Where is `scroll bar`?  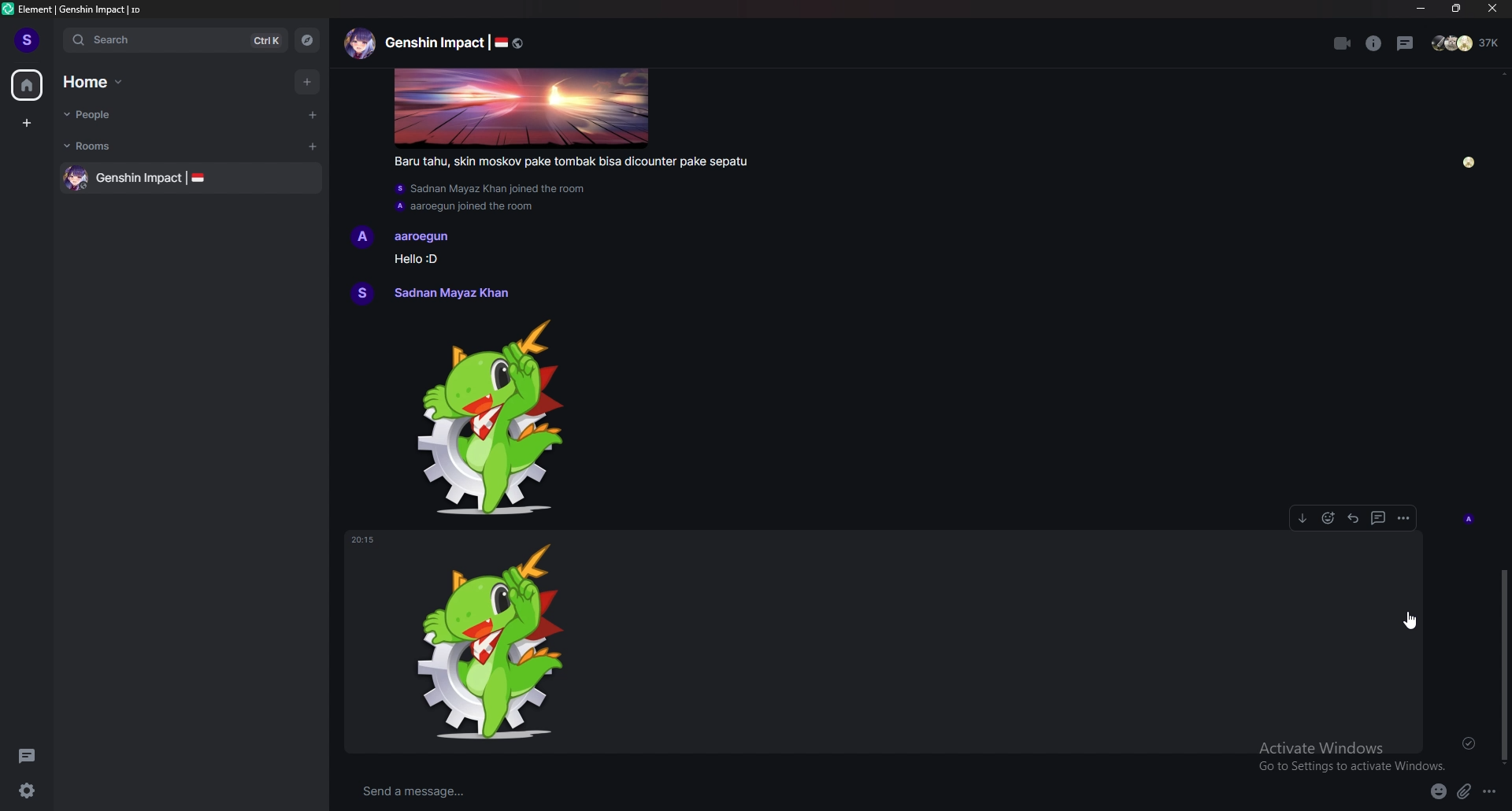
scroll bar is located at coordinates (1504, 665).